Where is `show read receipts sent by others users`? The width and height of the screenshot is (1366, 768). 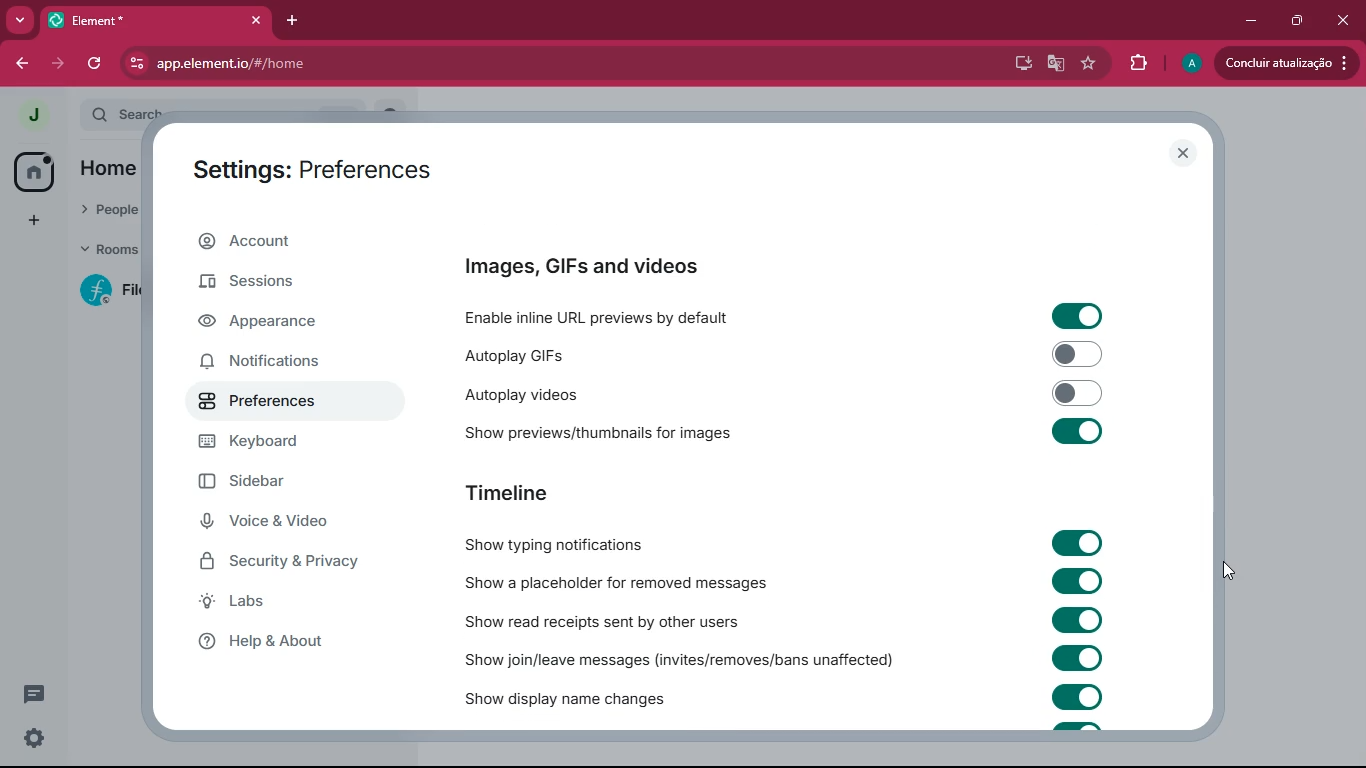
show read receipts sent by others users is located at coordinates (613, 619).